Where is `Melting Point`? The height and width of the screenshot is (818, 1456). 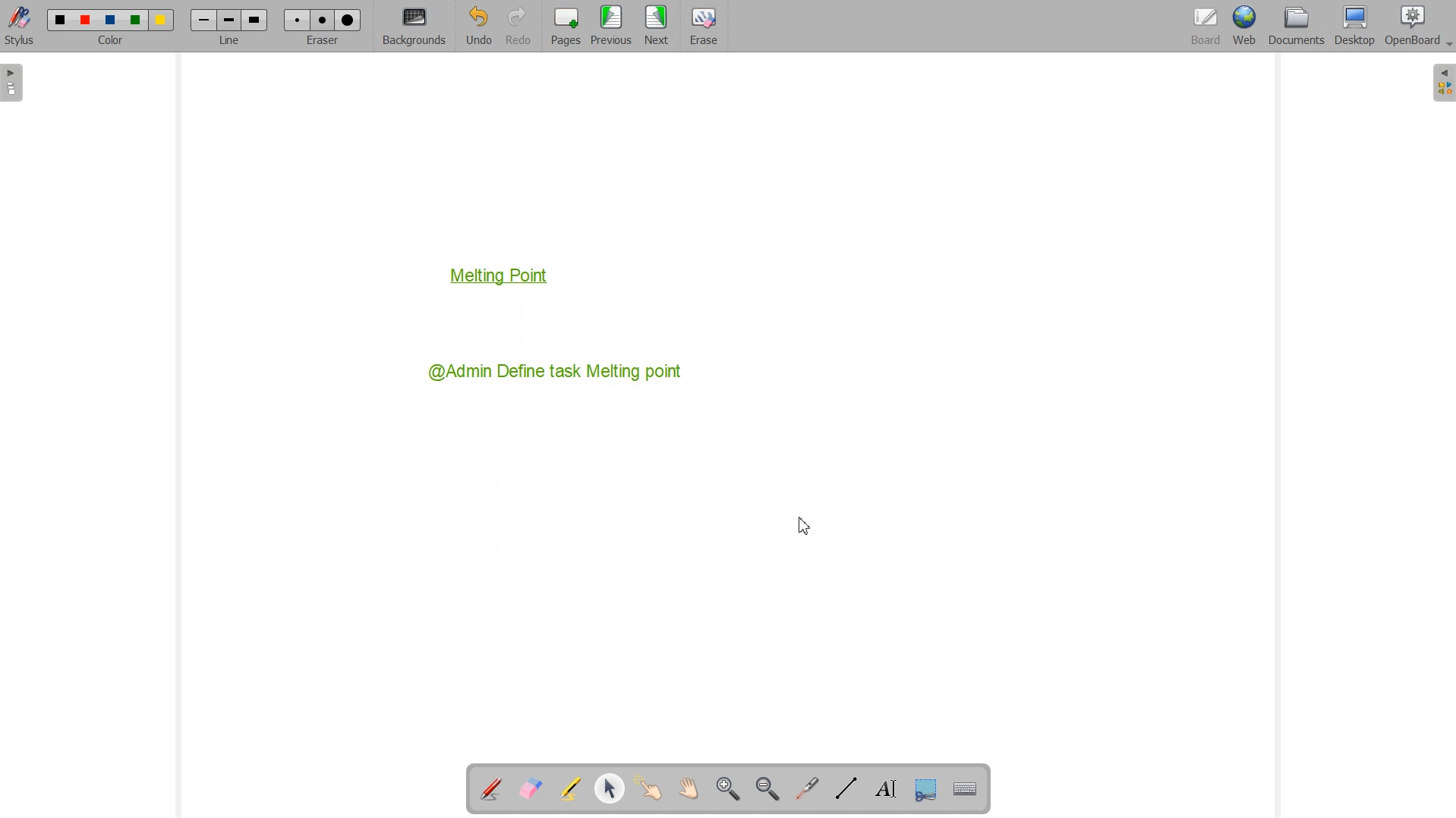
Melting Point is located at coordinates (503, 275).